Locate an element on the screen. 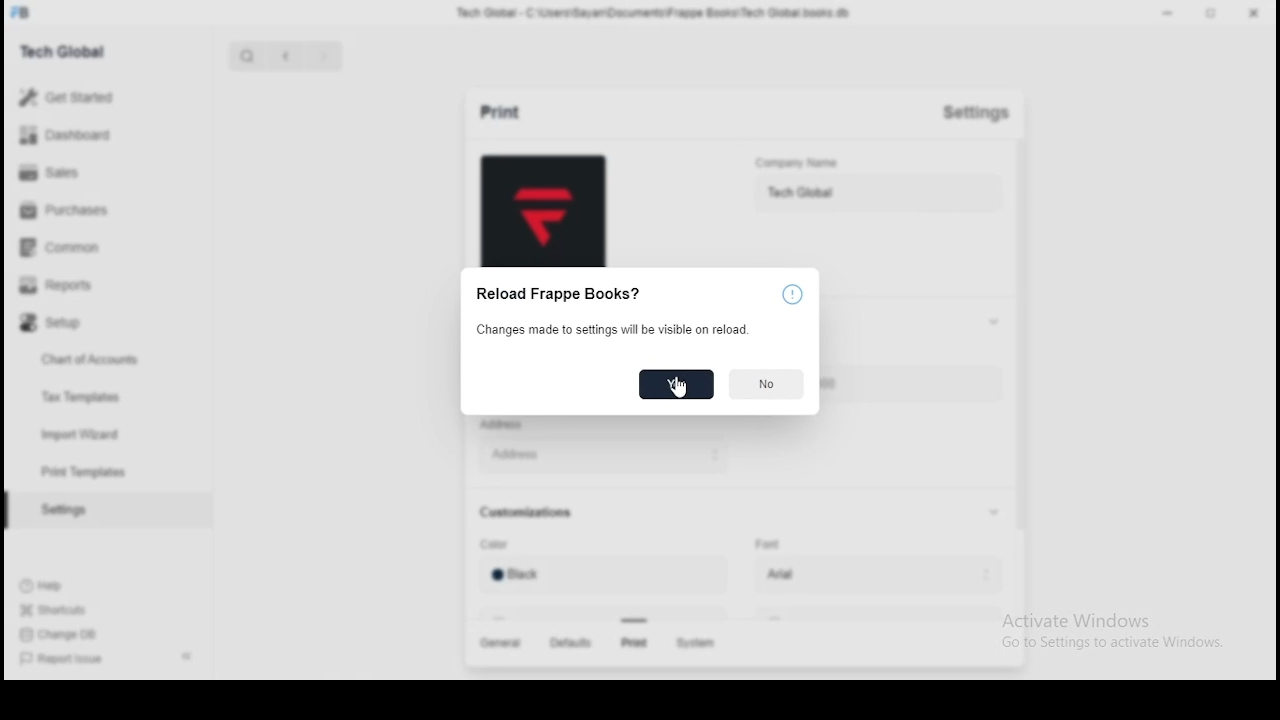  Tech Global - C:\Users\Sayan\Documents\Frappe Books\Tech Global. books. db is located at coordinates (653, 16).